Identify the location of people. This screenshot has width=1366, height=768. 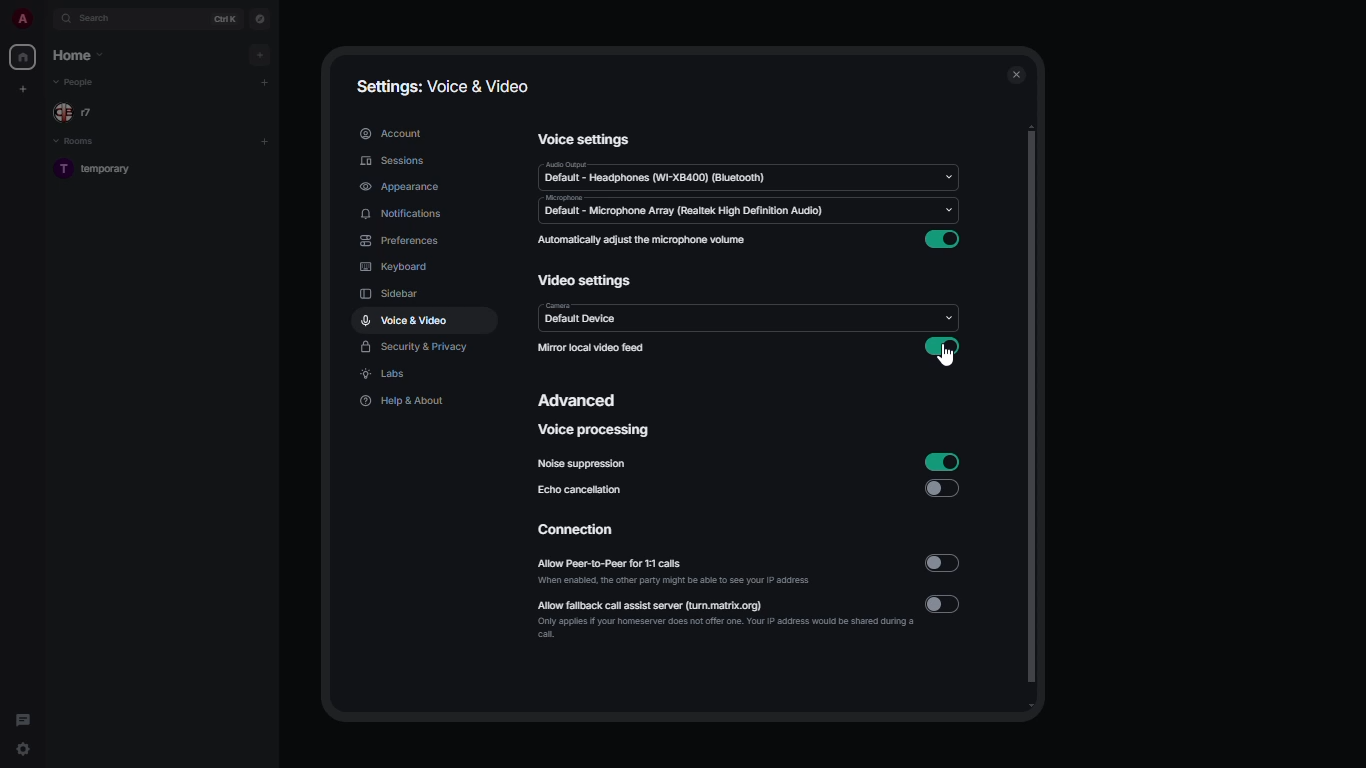
(77, 82).